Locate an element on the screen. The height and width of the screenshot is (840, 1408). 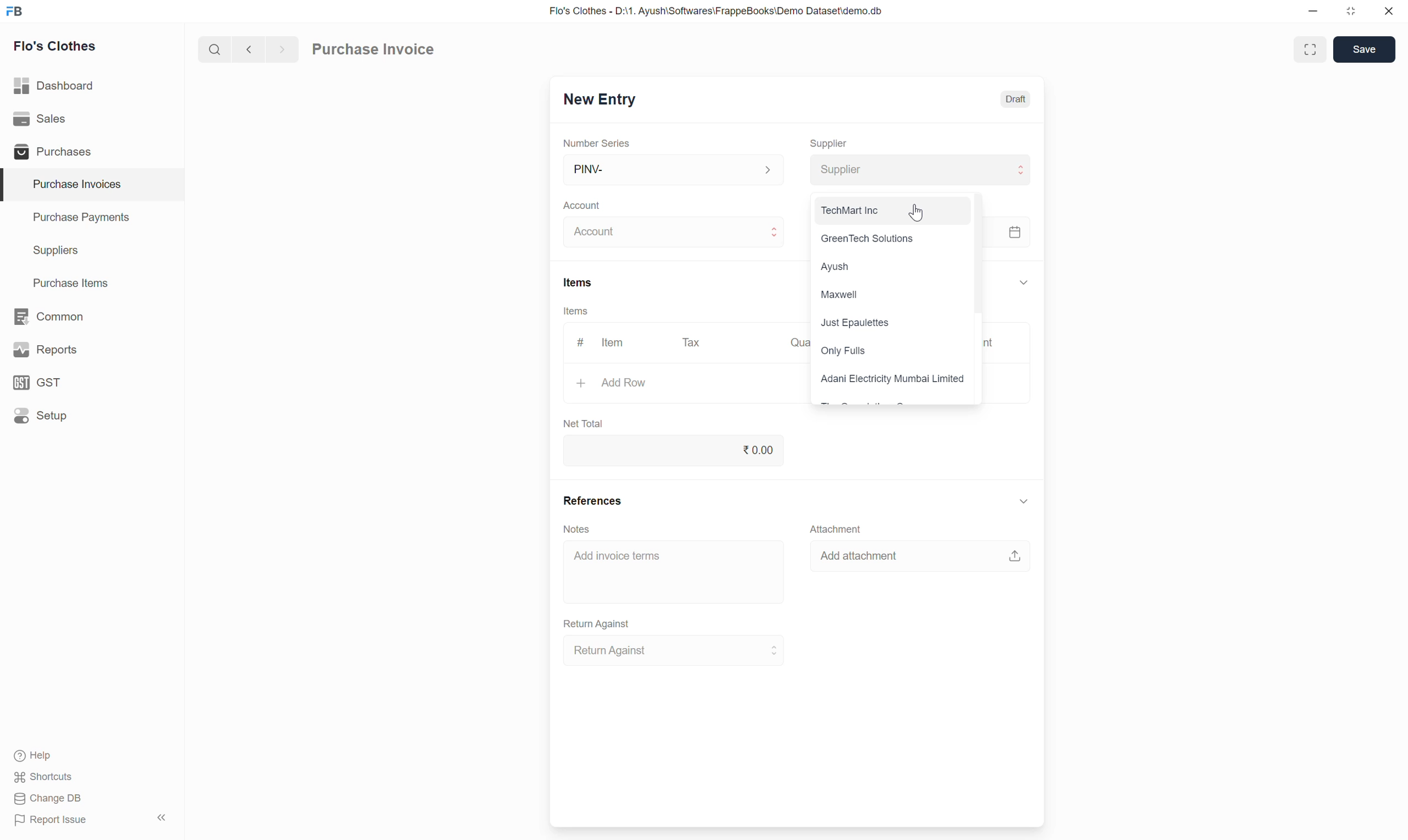
Adani Electricity Mumbai Limited is located at coordinates (892, 379).